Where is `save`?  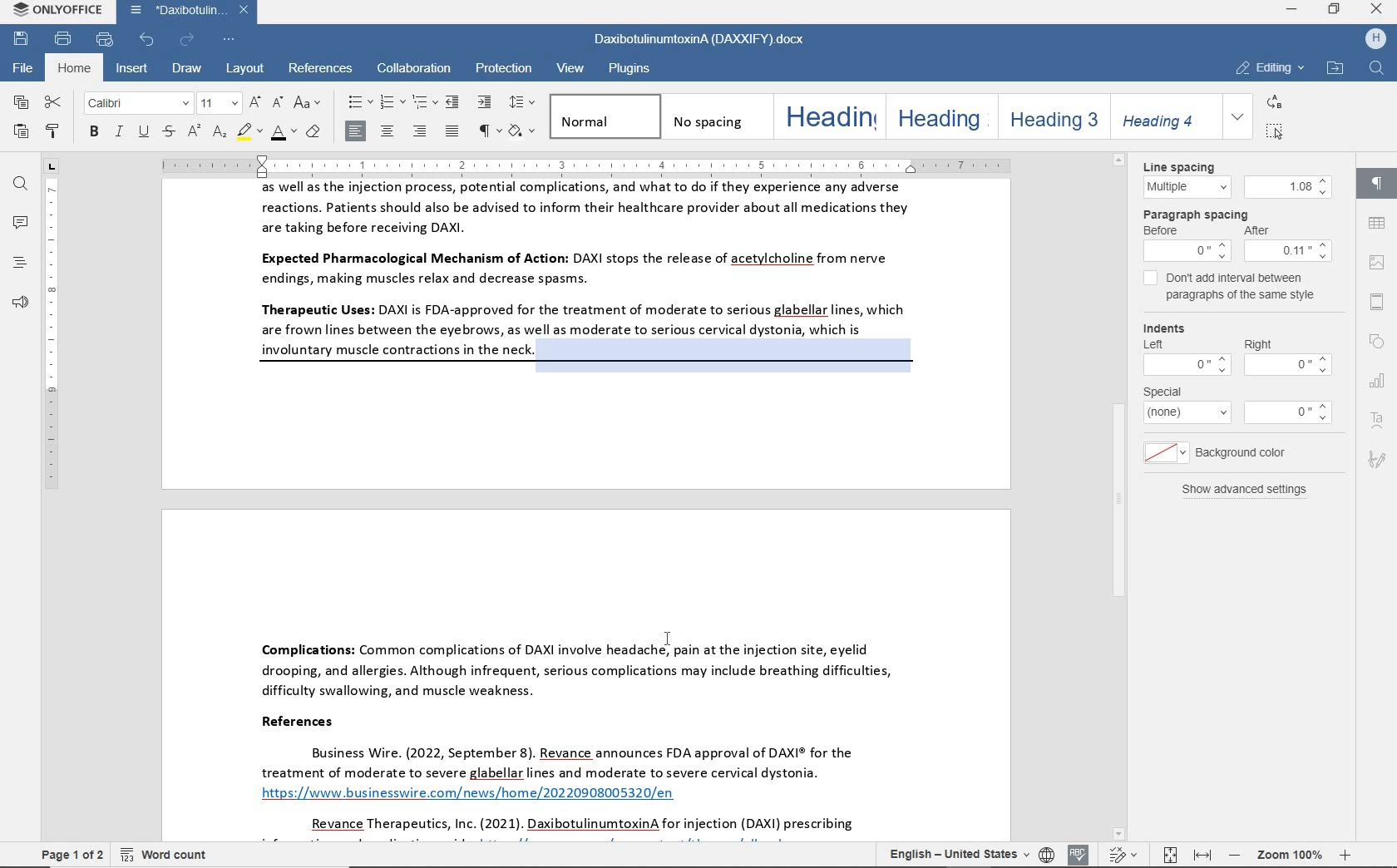 save is located at coordinates (22, 37).